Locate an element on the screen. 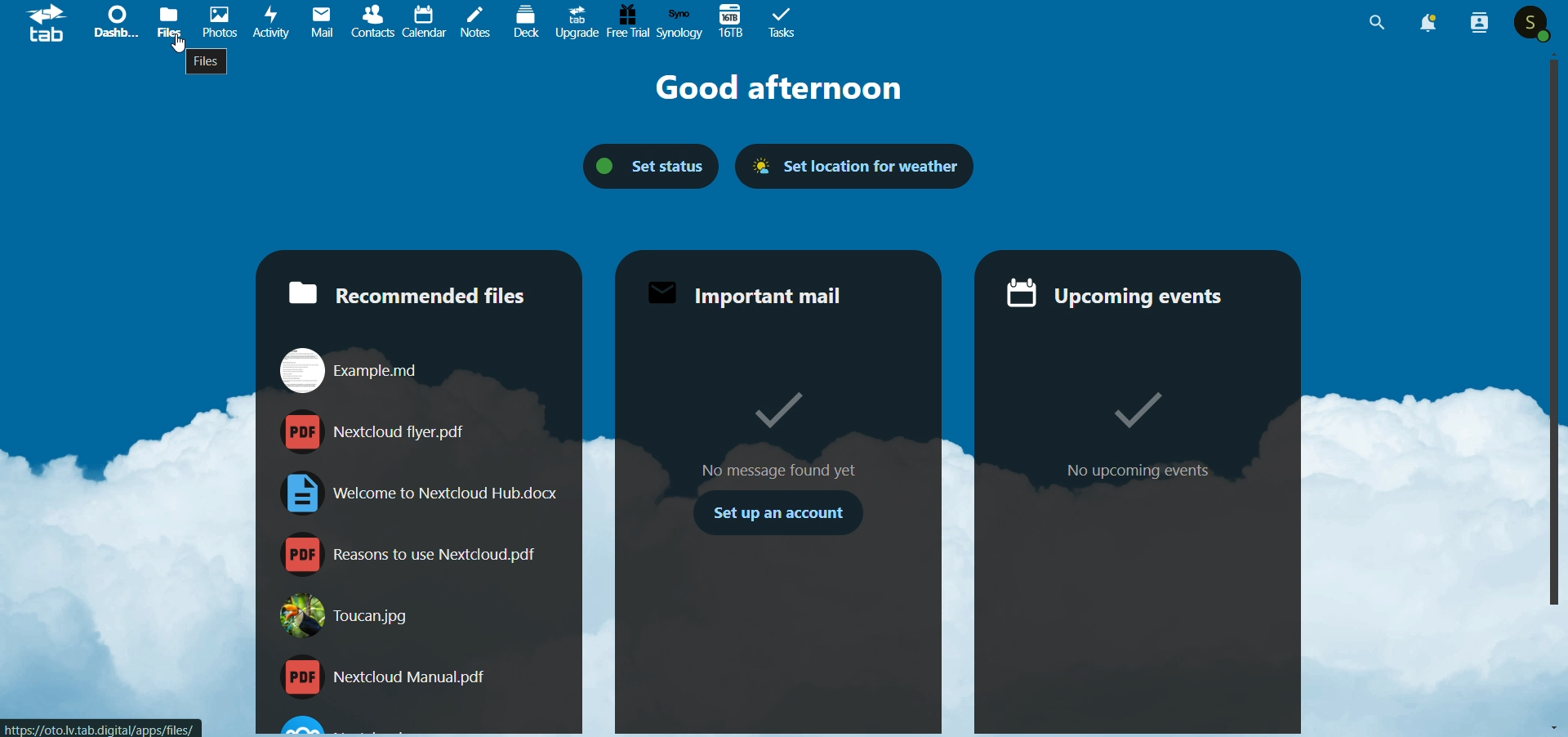 This screenshot has width=1568, height=737. scroll bar is located at coordinates (1548, 333).